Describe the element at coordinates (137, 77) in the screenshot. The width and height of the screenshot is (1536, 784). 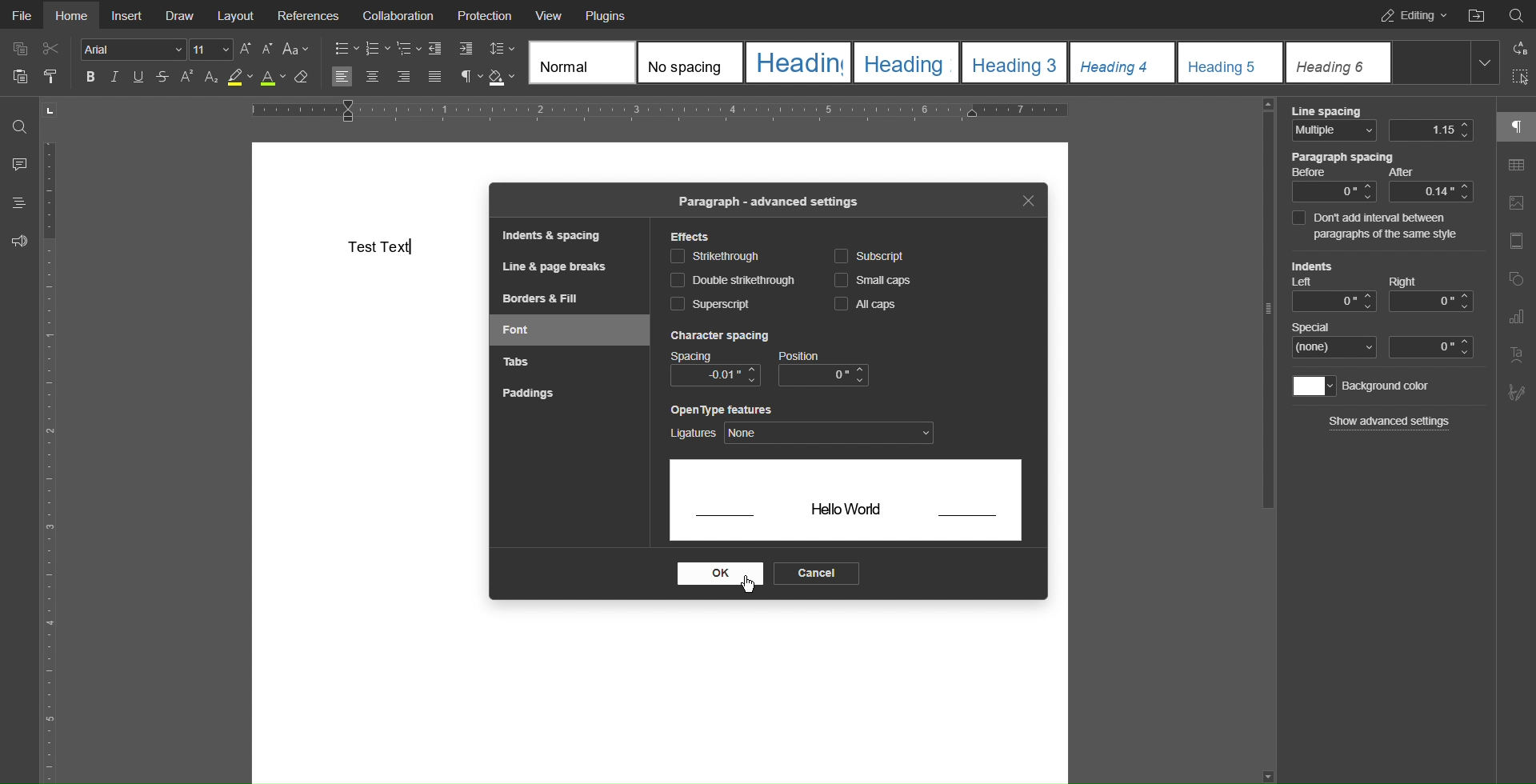
I see `Underline` at that location.